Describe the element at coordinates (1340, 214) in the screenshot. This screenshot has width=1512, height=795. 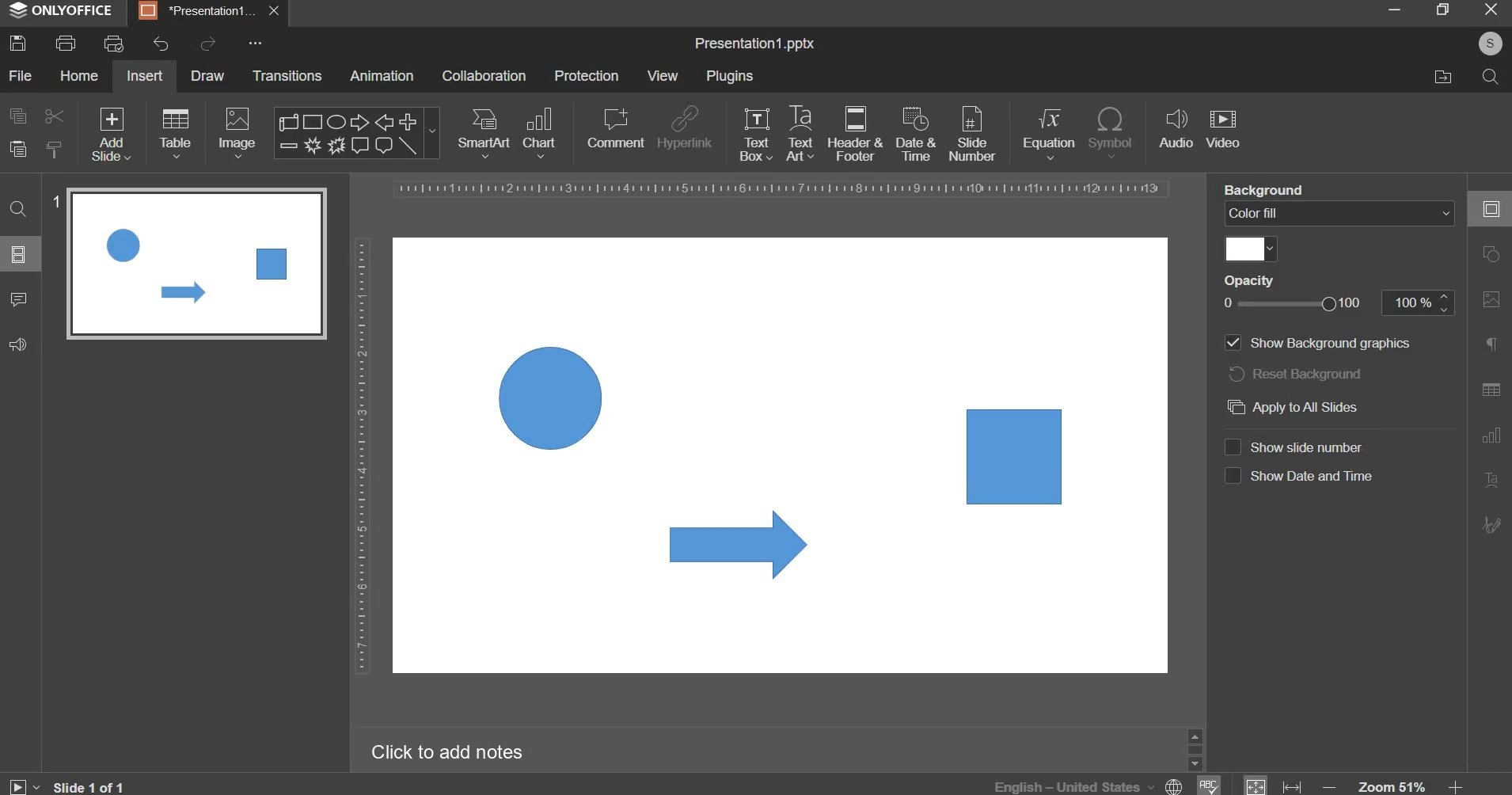
I see `background fill` at that location.